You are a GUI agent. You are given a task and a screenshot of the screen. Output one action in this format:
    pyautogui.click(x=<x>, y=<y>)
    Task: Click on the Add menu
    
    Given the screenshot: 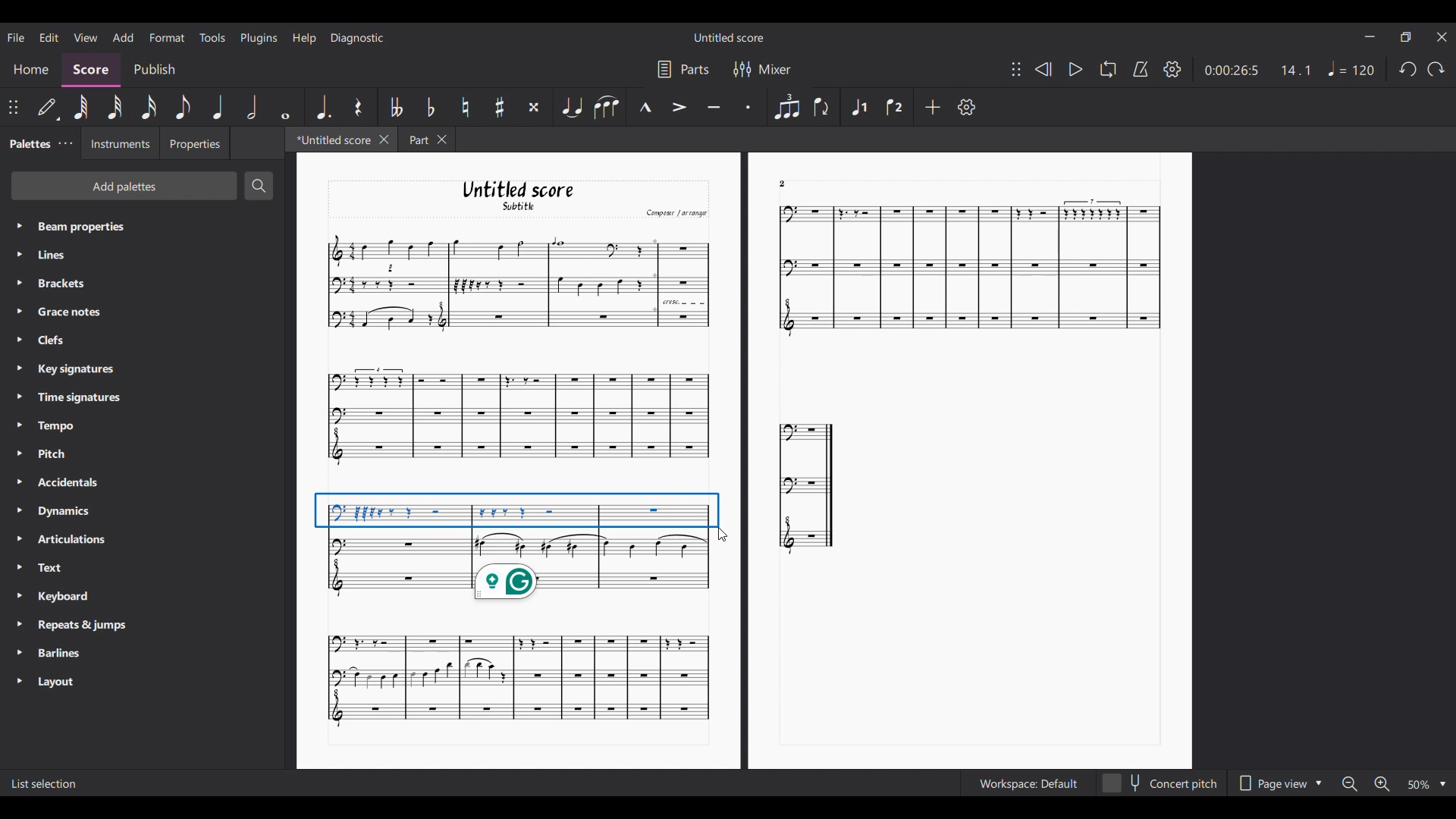 What is the action you would take?
    pyautogui.click(x=122, y=36)
    